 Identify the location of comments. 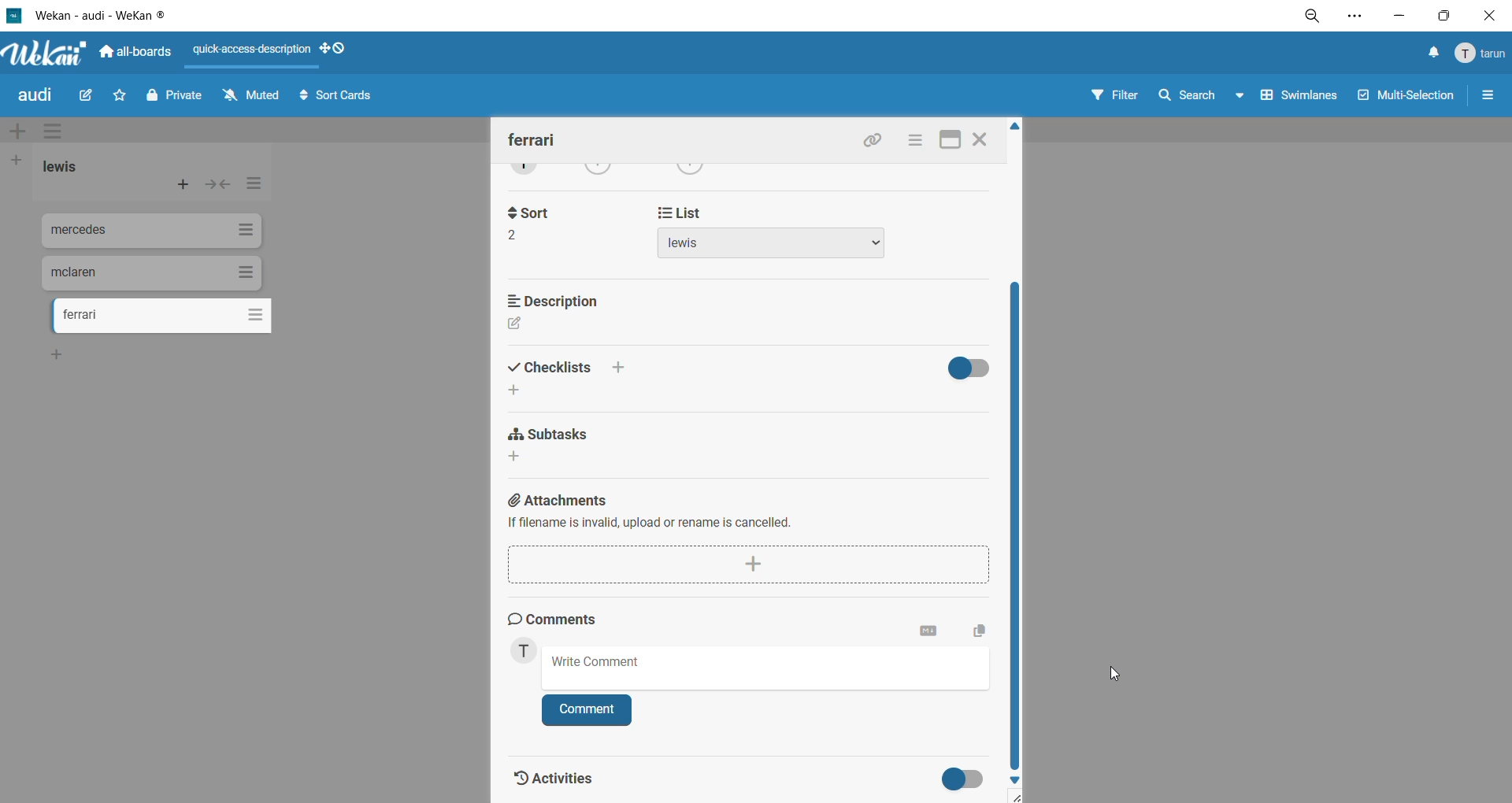
(561, 621).